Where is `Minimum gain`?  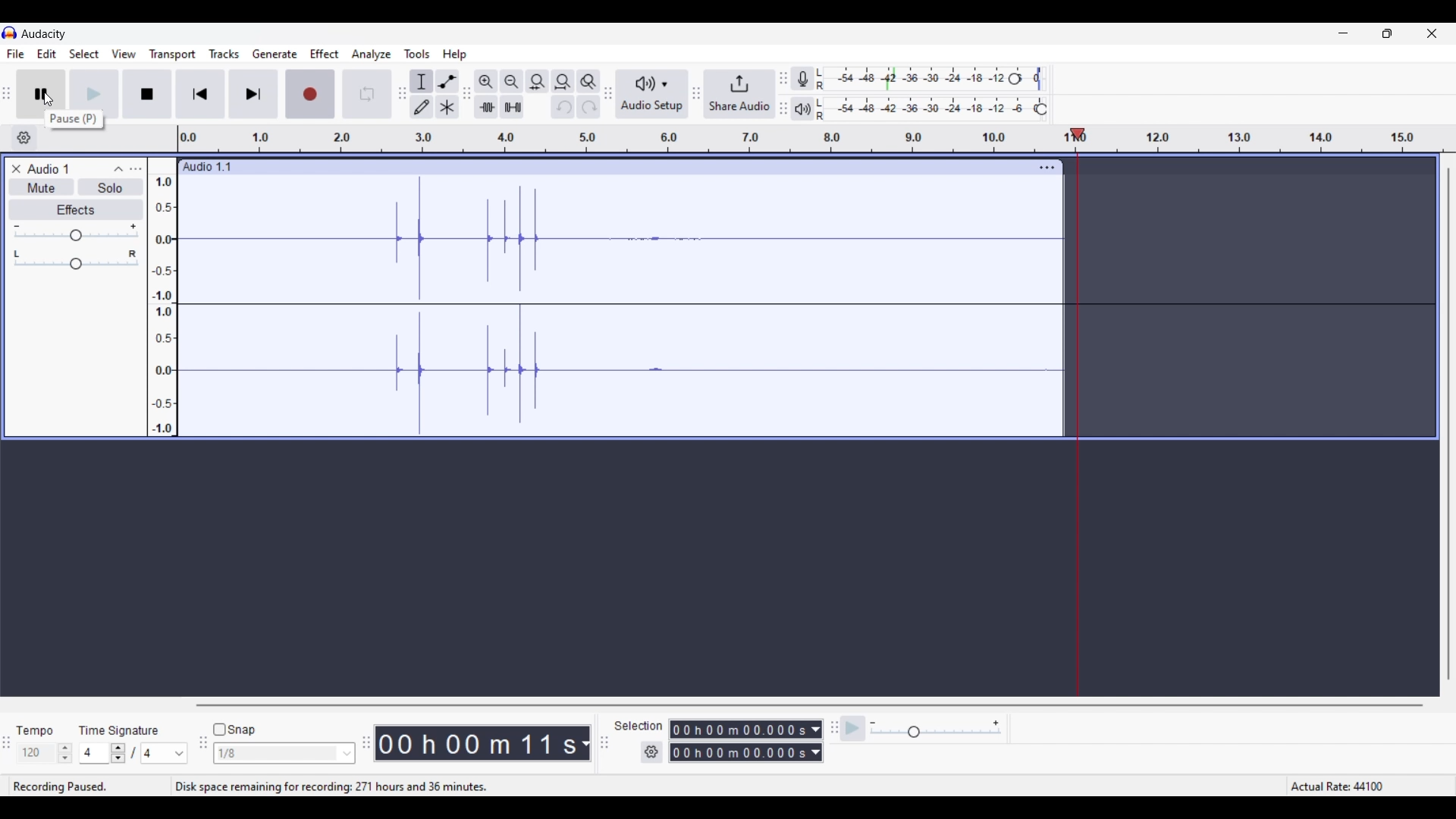 Minimum gain is located at coordinates (17, 226).